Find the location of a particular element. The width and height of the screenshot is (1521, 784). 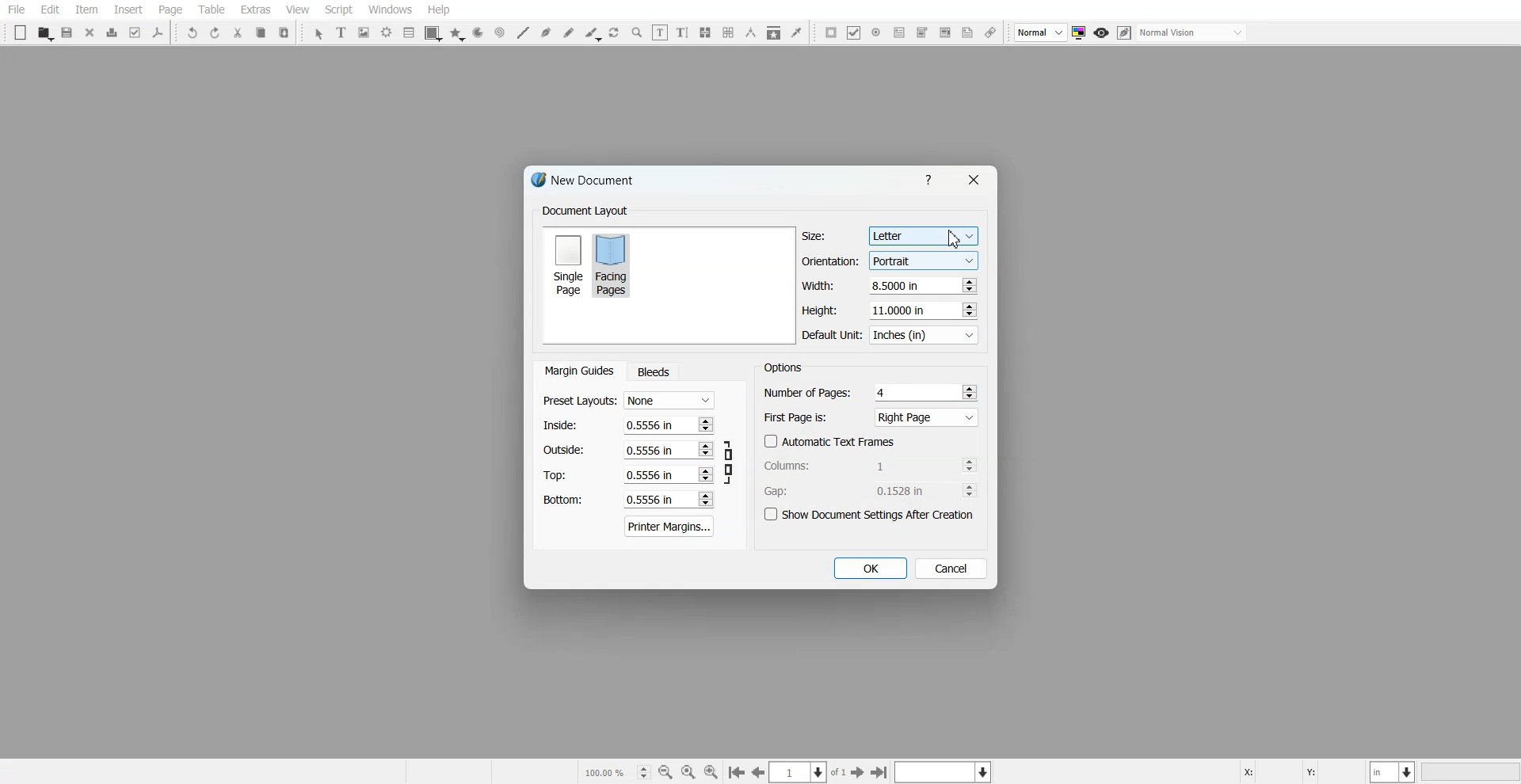

Letter is located at coordinates (922, 237).